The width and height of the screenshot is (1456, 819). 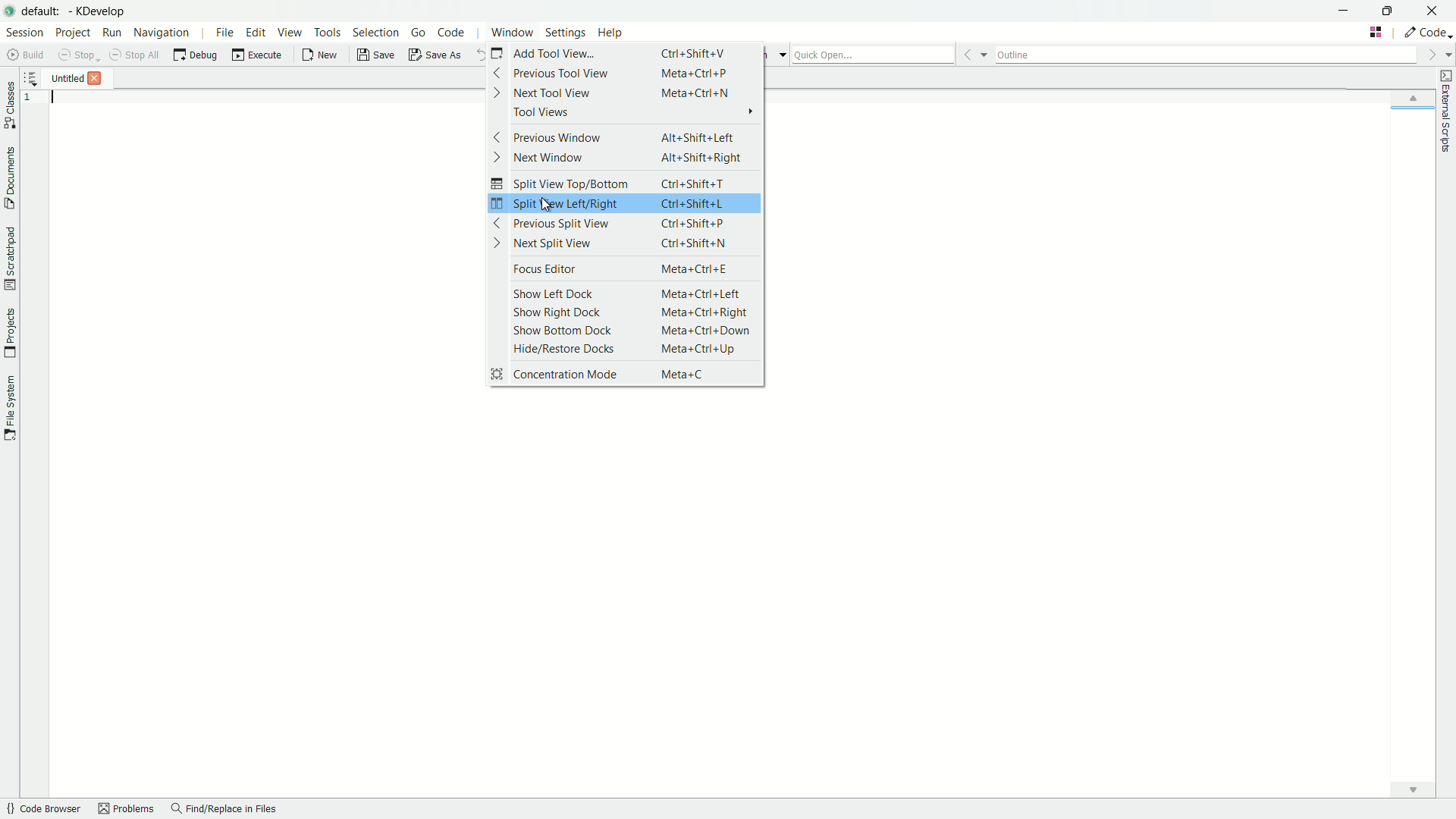 I want to click on selection menu, so click(x=375, y=33).